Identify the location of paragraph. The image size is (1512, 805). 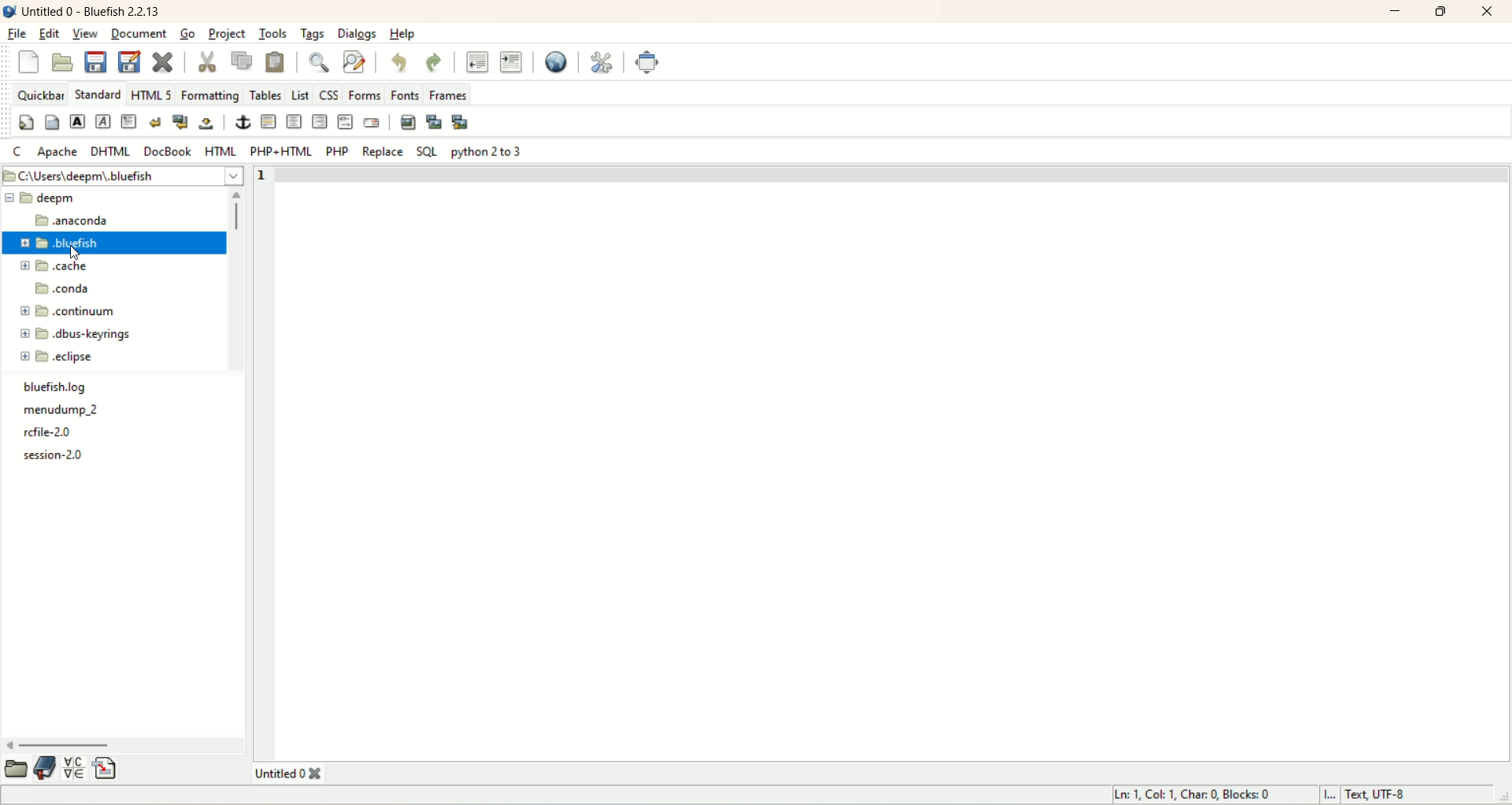
(132, 121).